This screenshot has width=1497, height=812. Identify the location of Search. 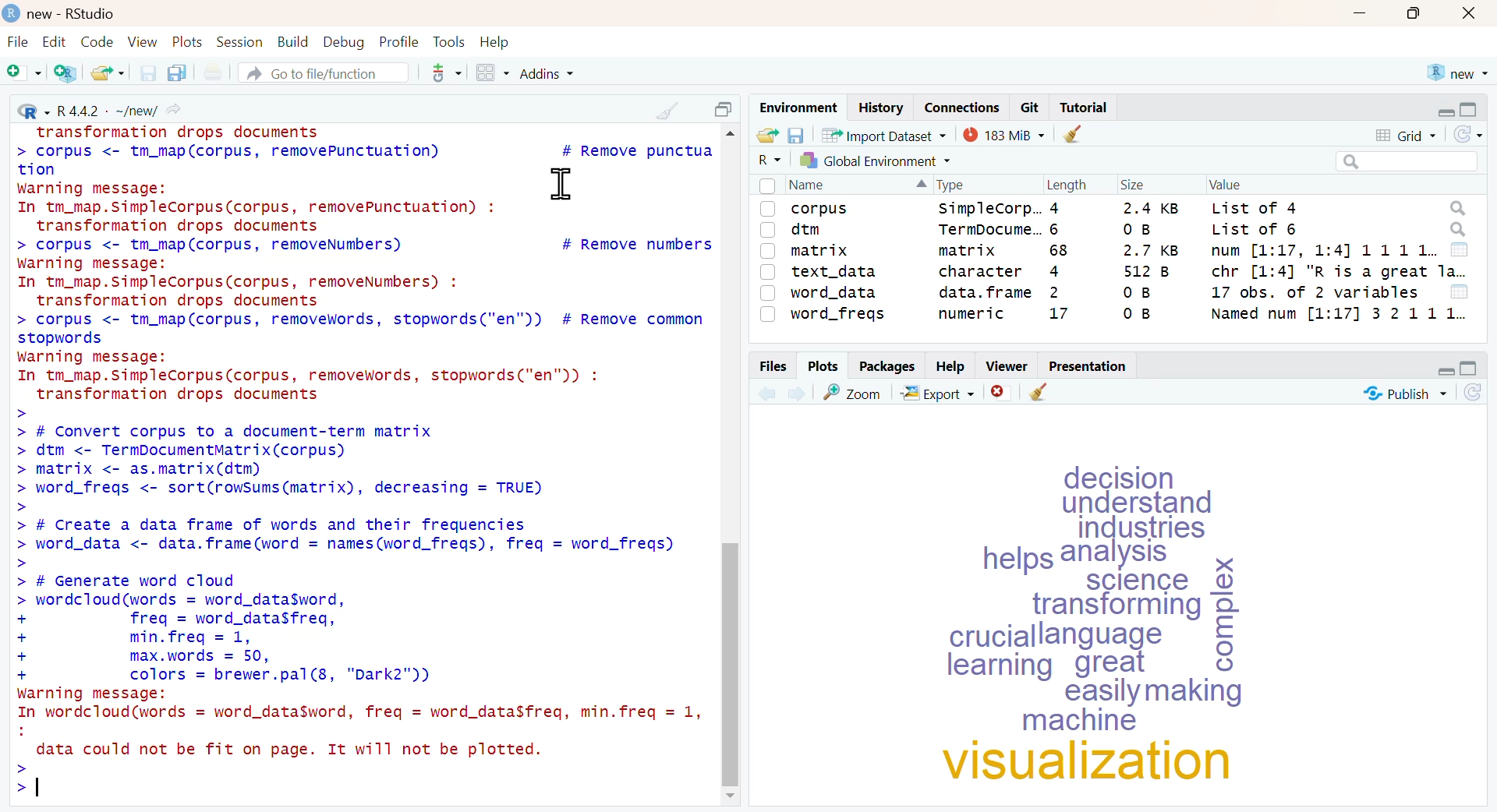
(1458, 229).